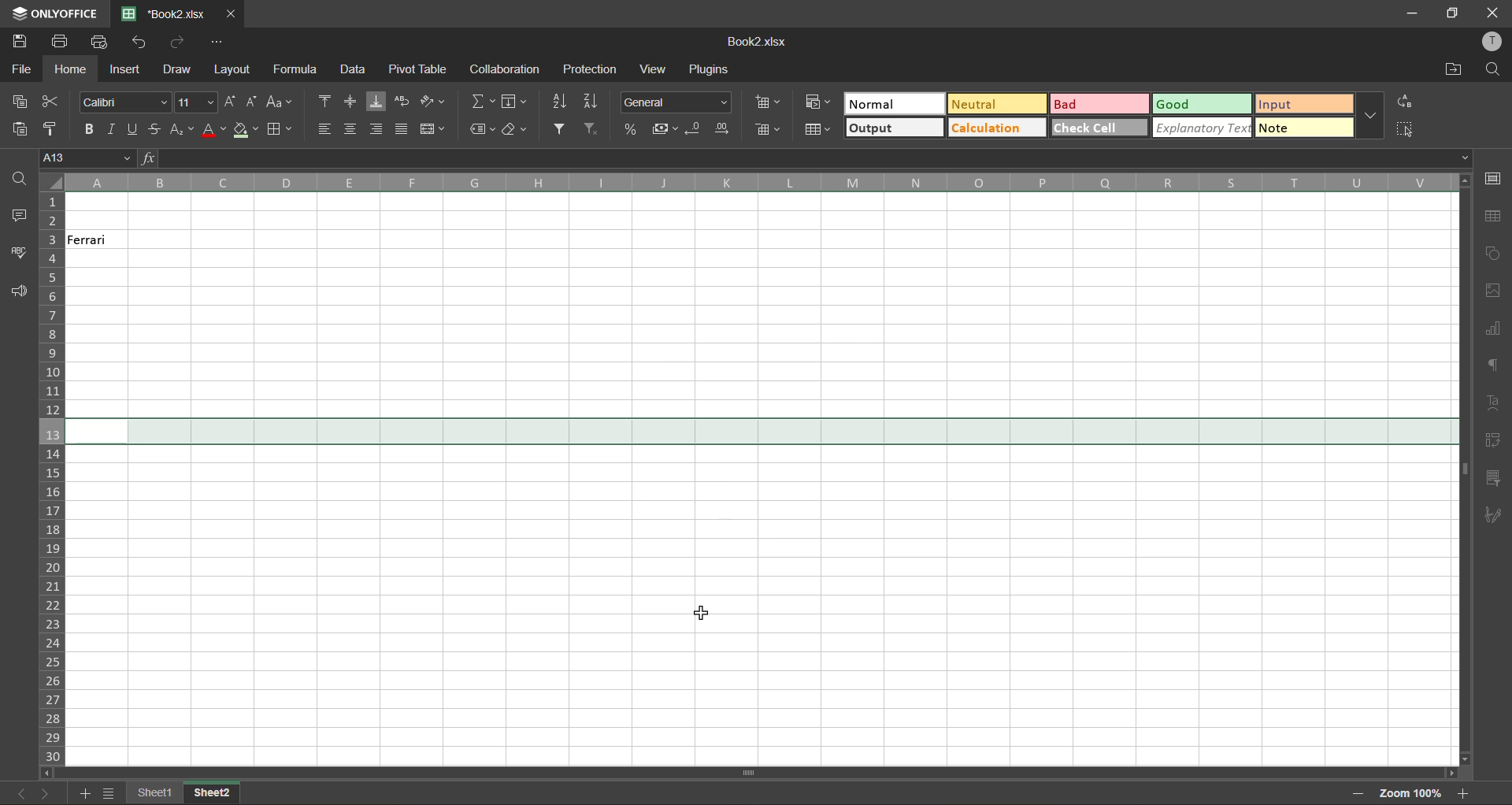 The image size is (1512, 805). I want to click on customize quick access toolbar, so click(215, 41).